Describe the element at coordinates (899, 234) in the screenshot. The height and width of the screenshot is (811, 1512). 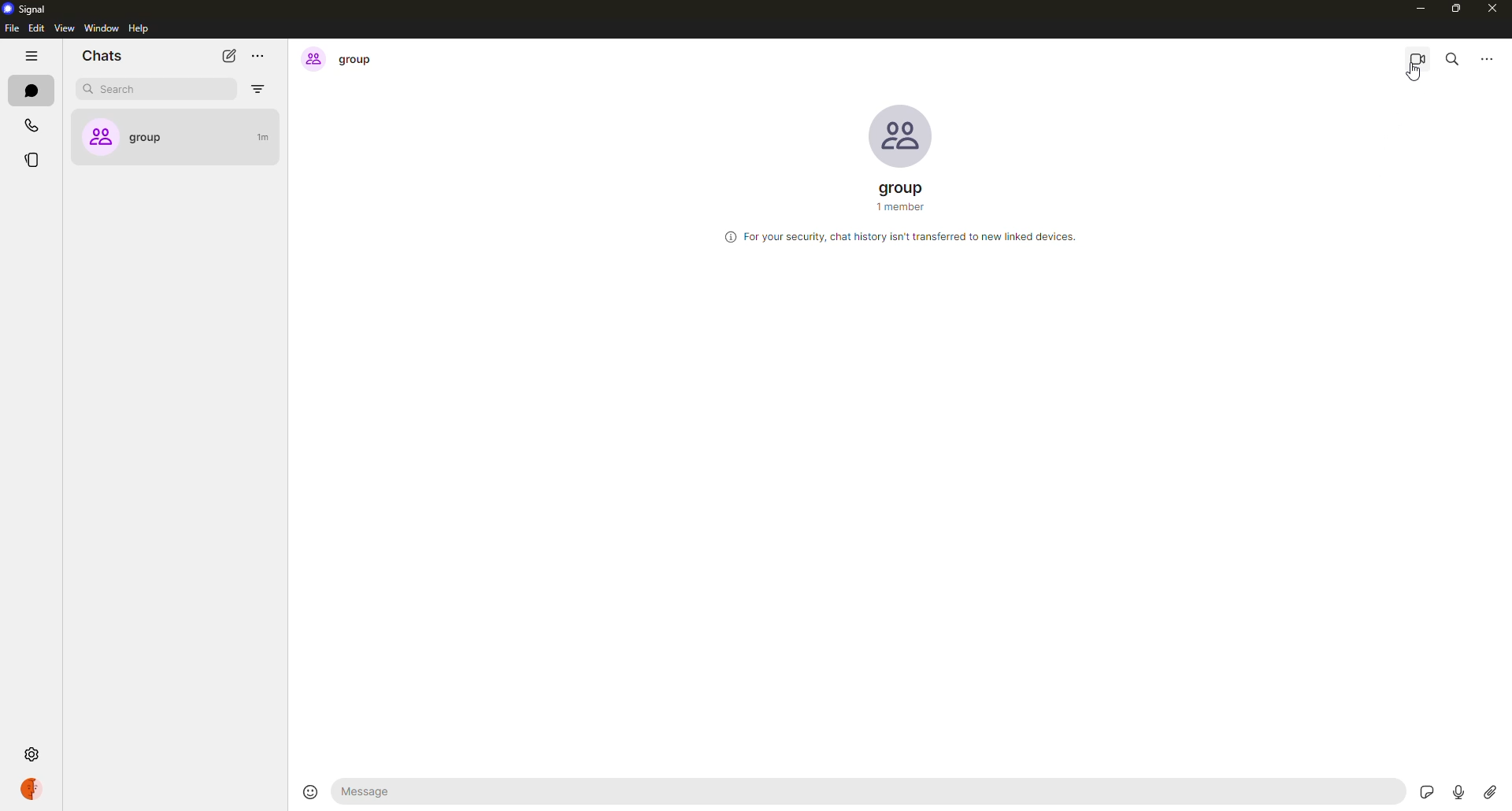
I see `info` at that location.